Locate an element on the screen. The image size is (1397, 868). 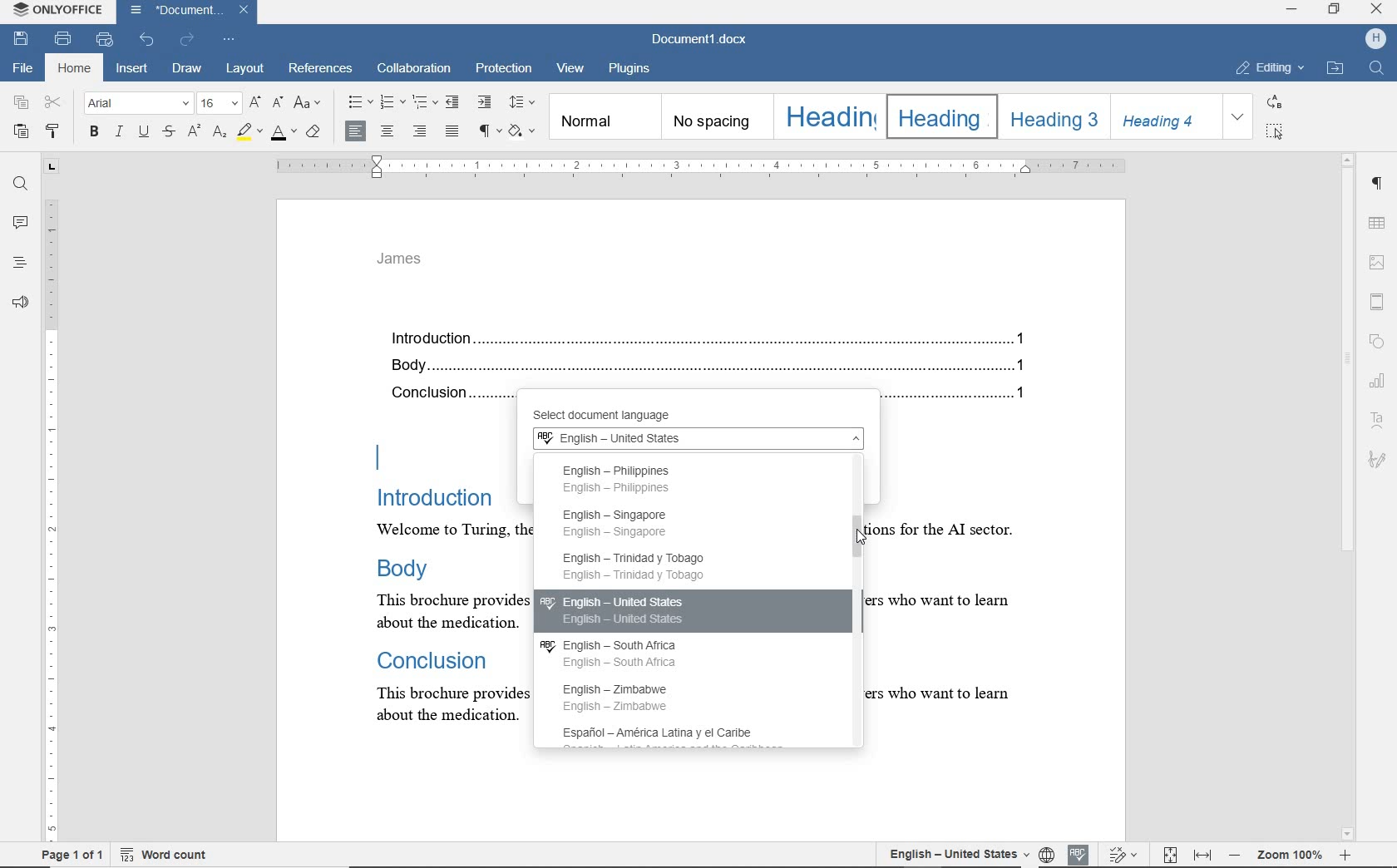
MINIMIZE is located at coordinates (1292, 12).